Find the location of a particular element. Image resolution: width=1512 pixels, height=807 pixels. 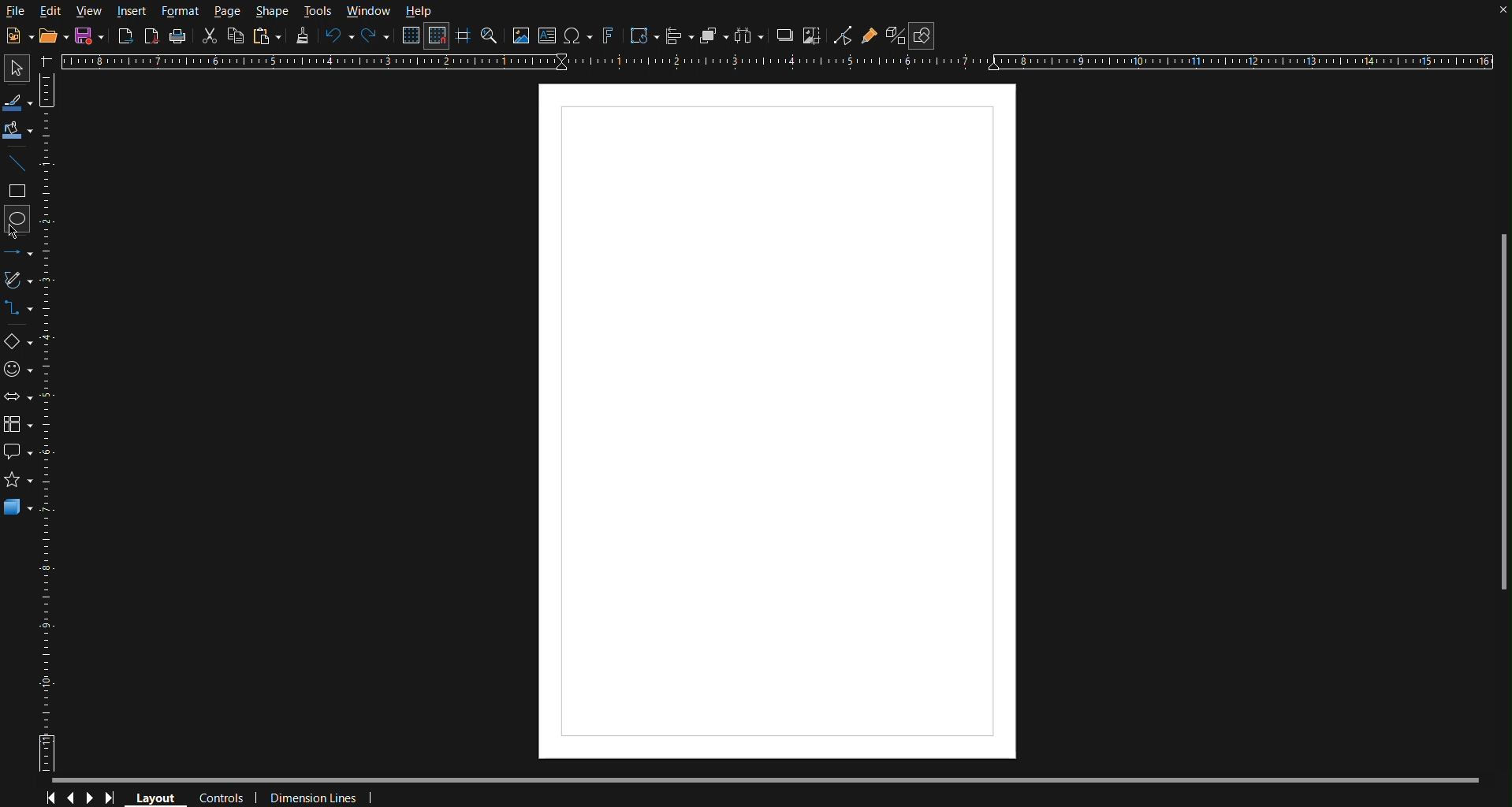

Callout Shapes is located at coordinates (18, 449).